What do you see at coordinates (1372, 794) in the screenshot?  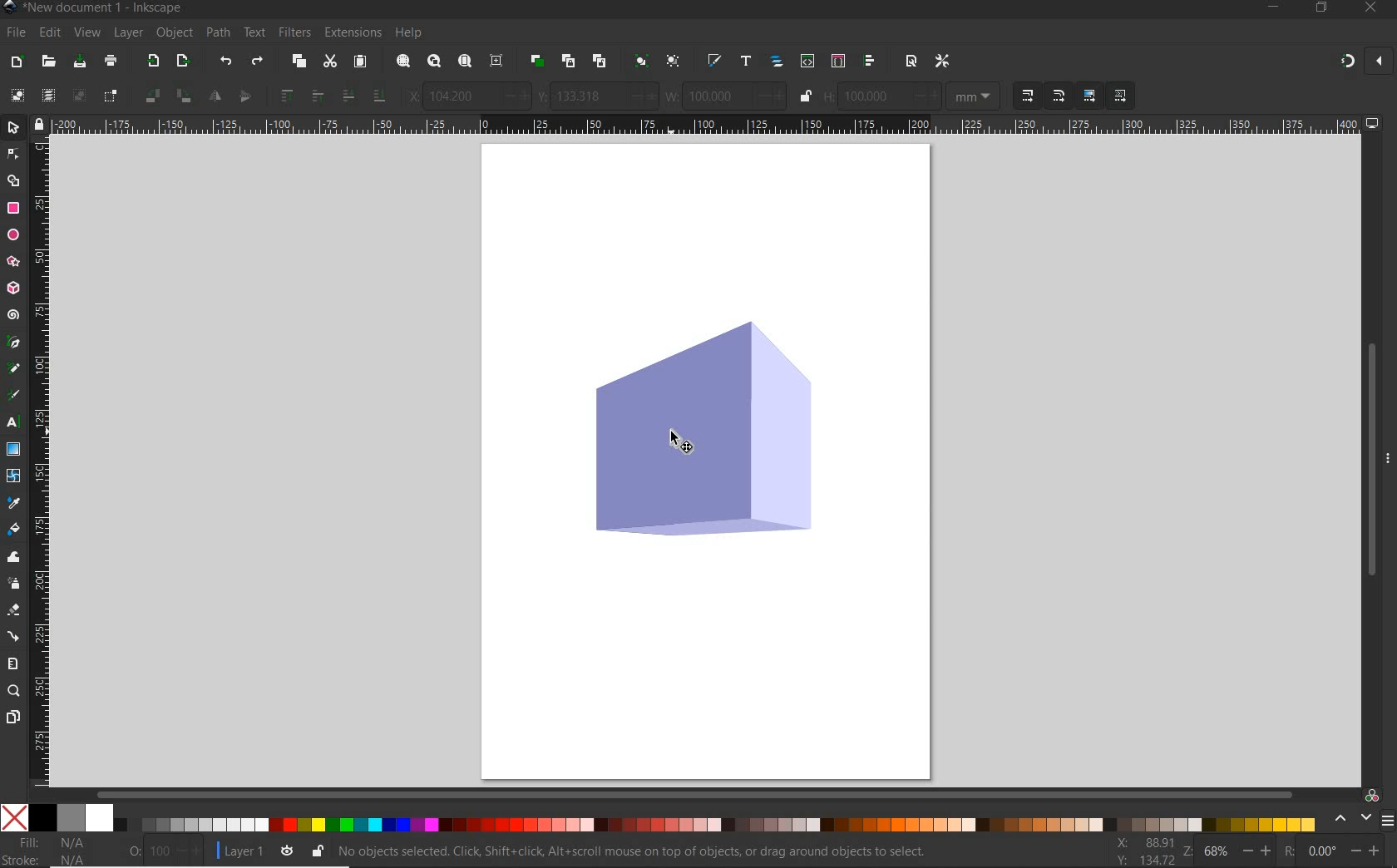 I see `COLOR MANAGED CODE` at bounding box center [1372, 794].